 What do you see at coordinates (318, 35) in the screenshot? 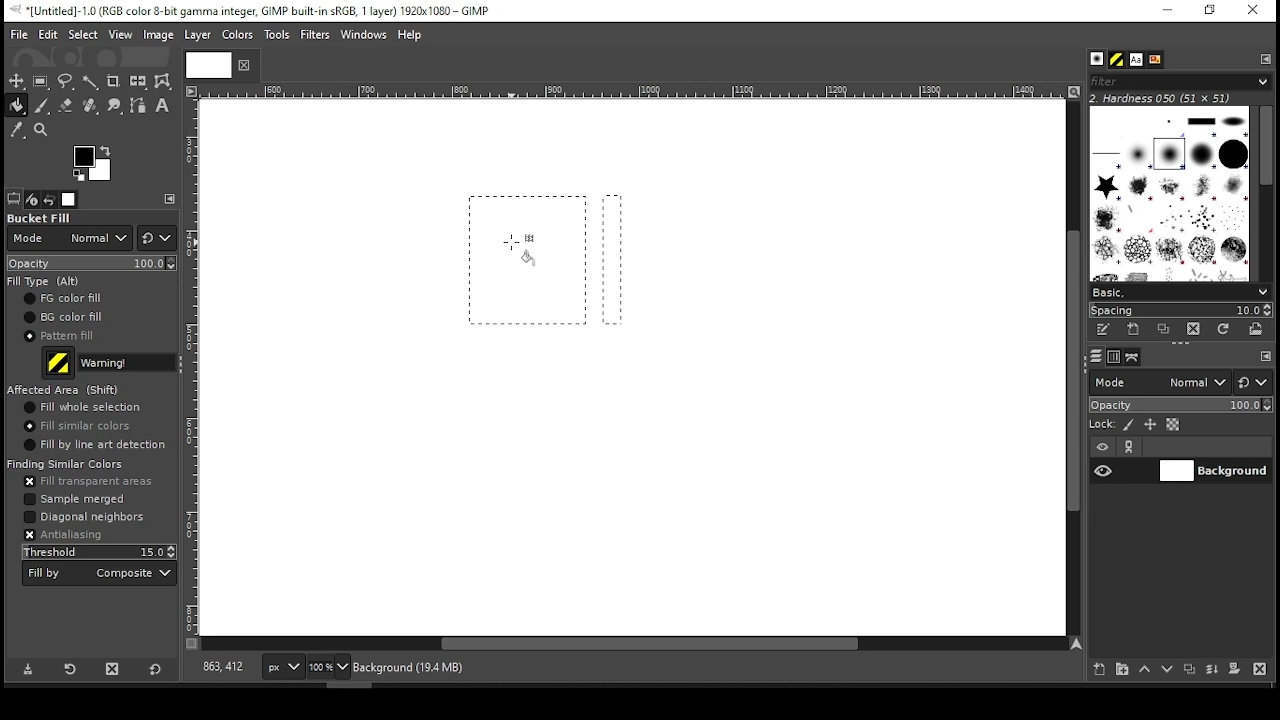
I see `filters` at bounding box center [318, 35].